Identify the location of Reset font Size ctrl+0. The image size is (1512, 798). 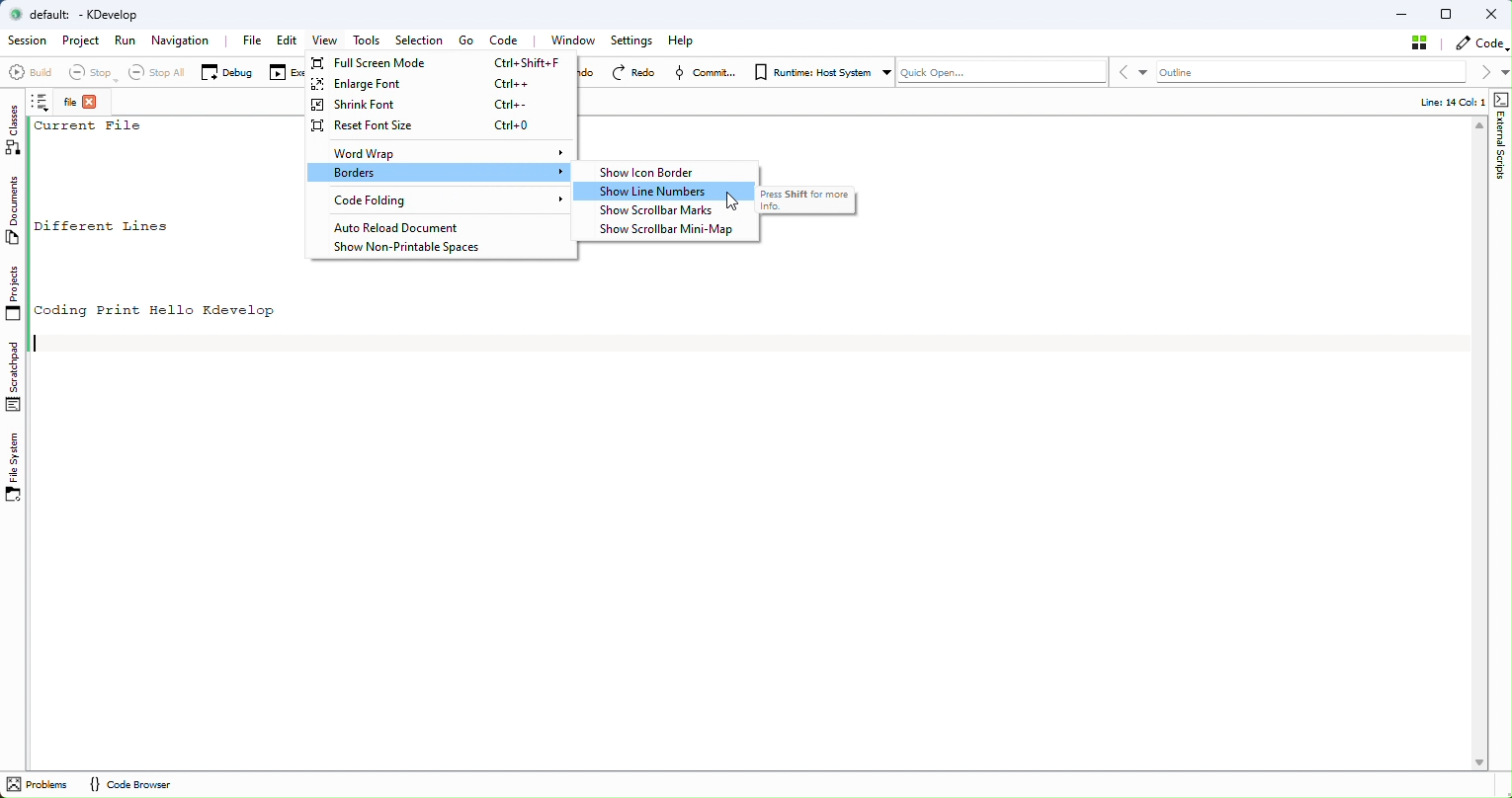
(436, 126).